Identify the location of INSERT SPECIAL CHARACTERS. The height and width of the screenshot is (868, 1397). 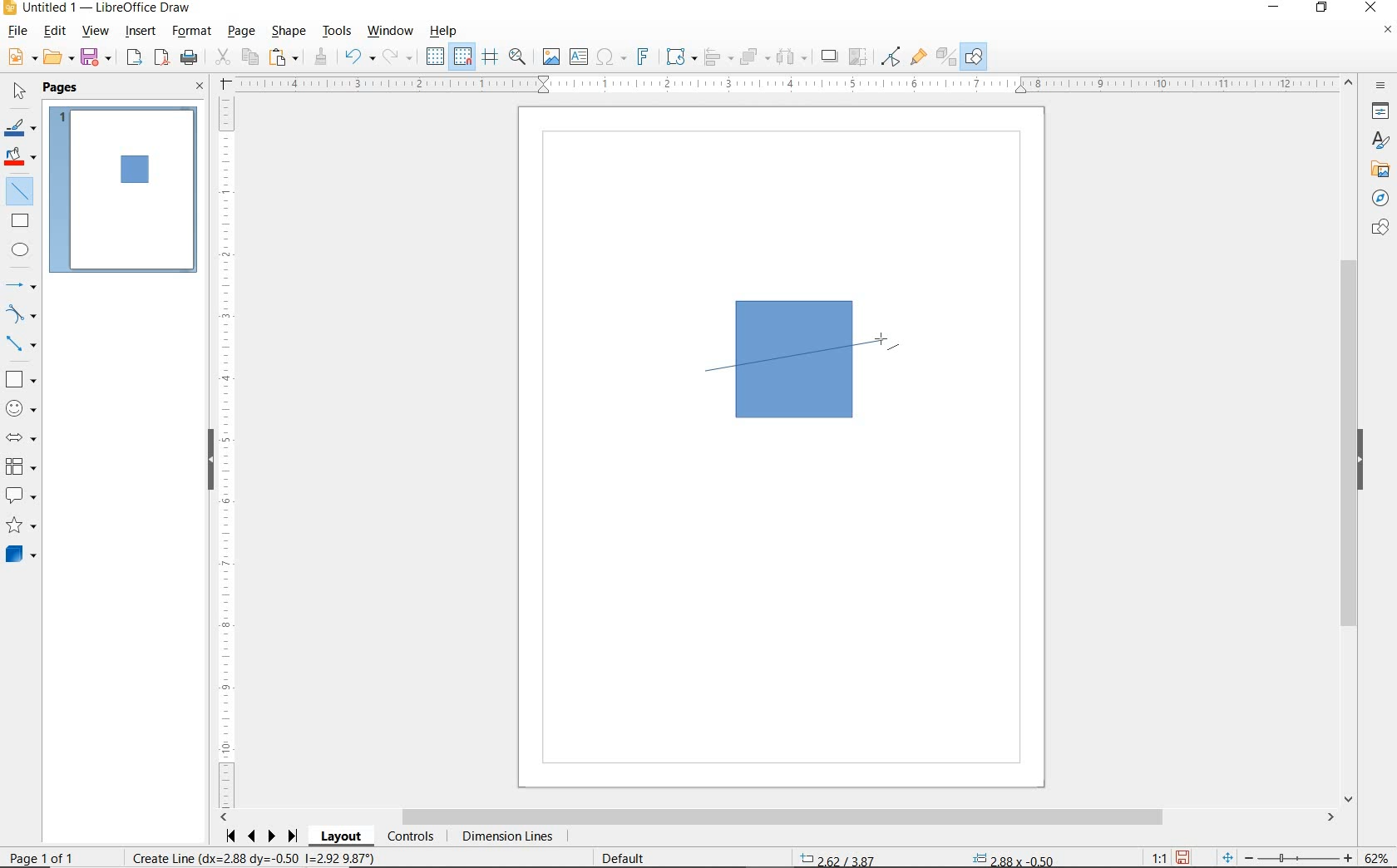
(610, 57).